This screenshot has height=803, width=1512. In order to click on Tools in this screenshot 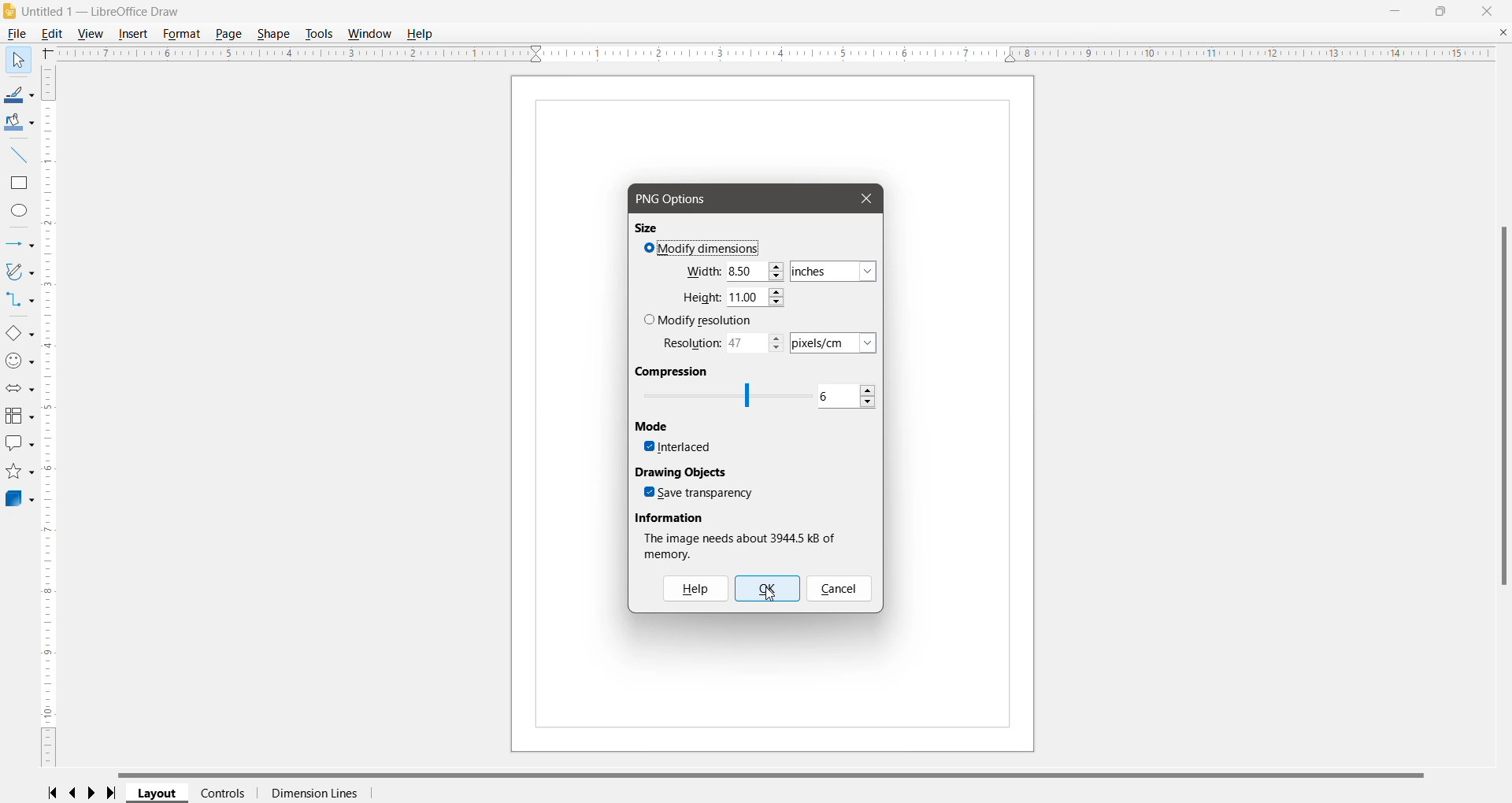, I will do `click(318, 34)`.